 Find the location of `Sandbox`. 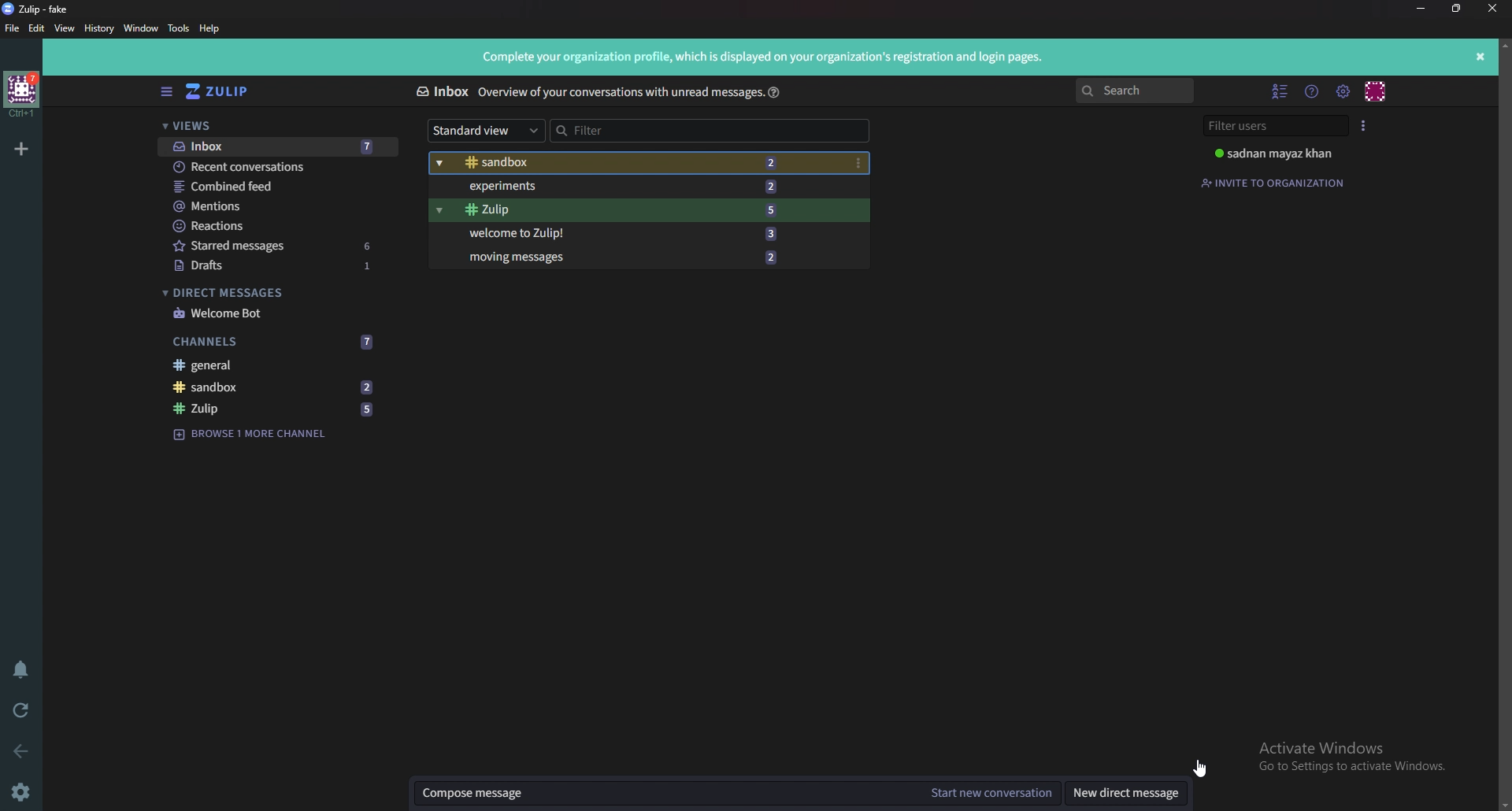

Sandbox is located at coordinates (634, 161).